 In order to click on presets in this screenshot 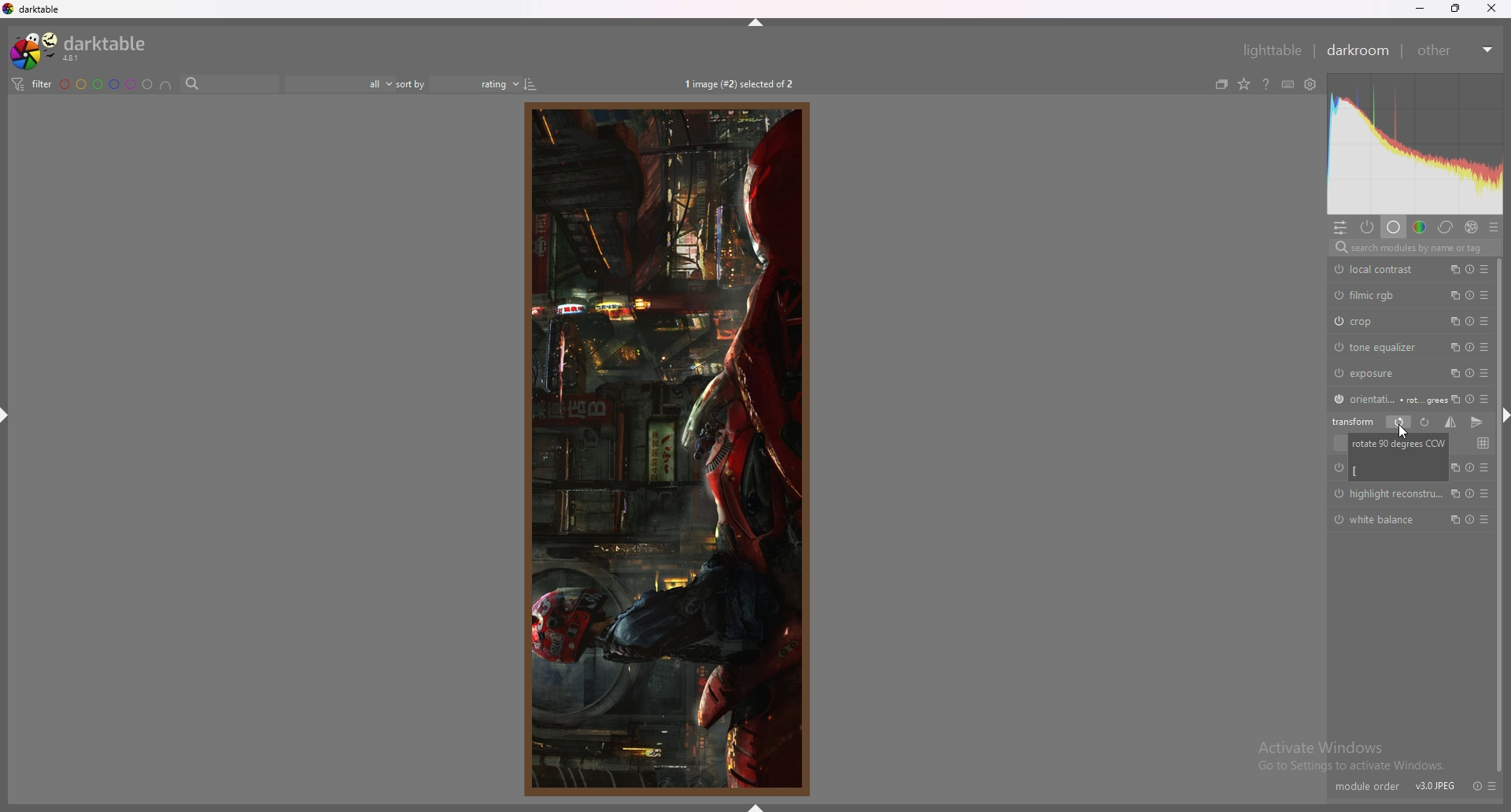, I will do `click(1491, 786)`.